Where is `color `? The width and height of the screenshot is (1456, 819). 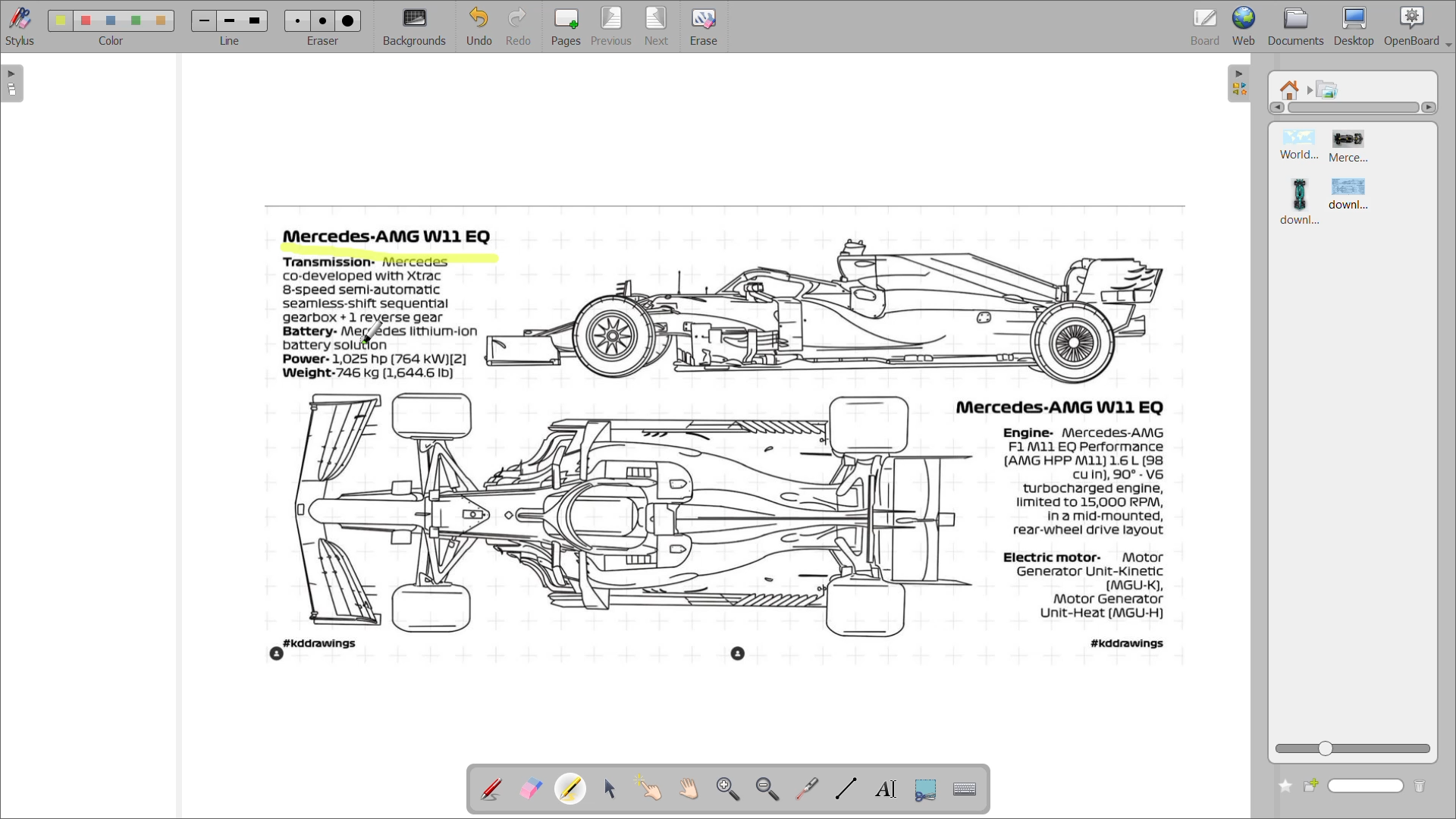
color  is located at coordinates (110, 42).